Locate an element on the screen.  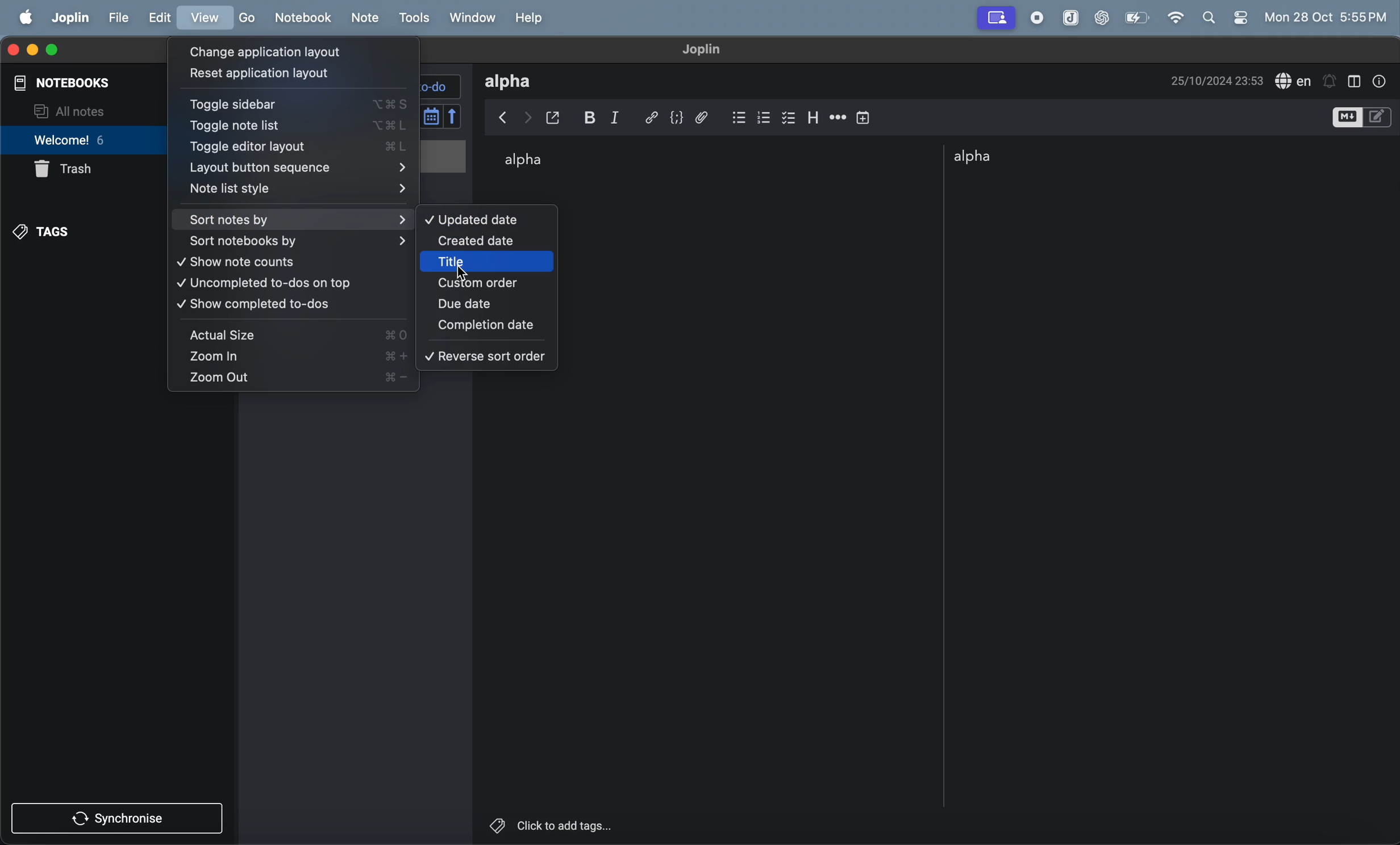
chatgpt is located at coordinates (1101, 18).